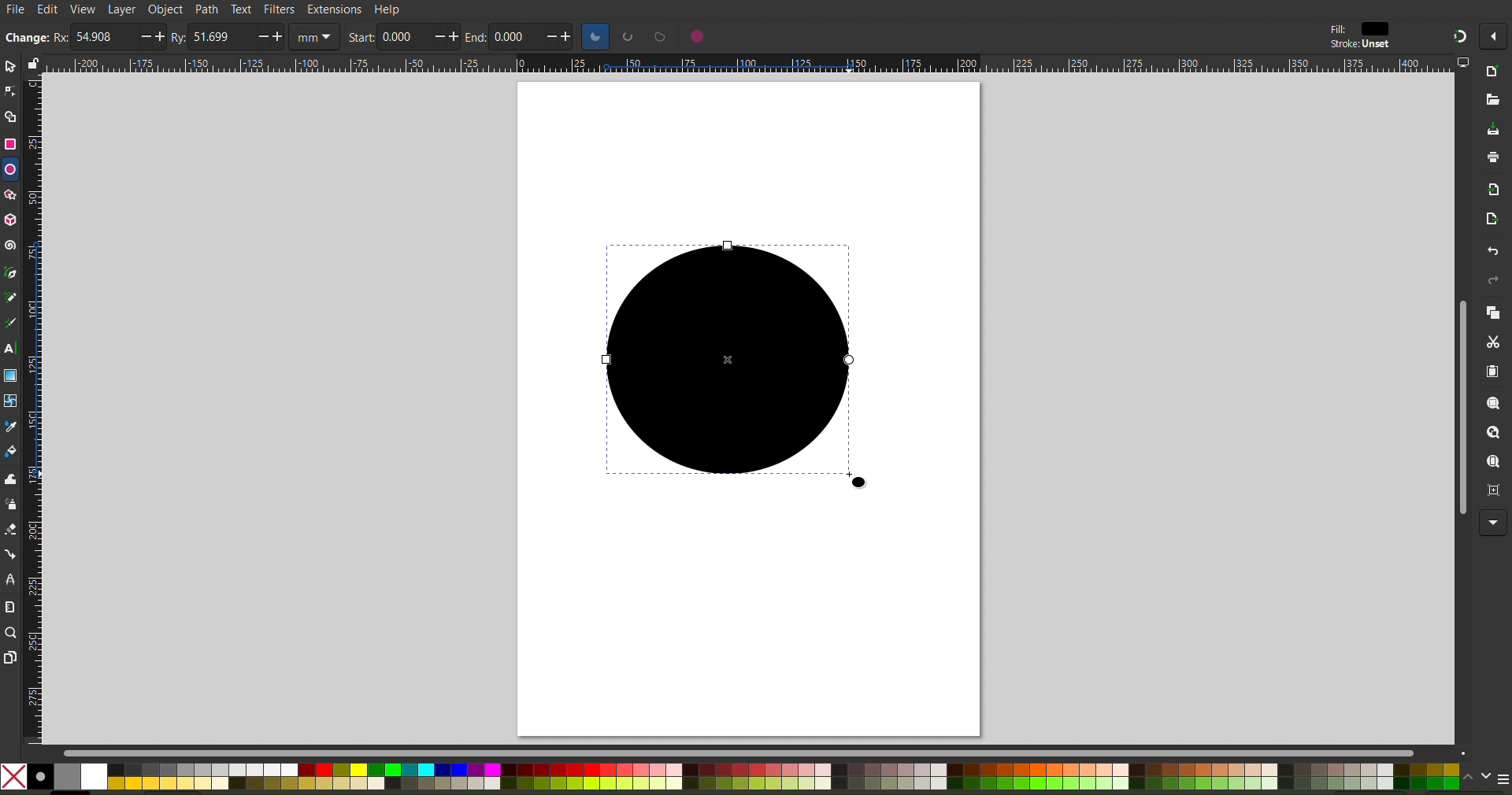  Describe the element at coordinates (48, 9) in the screenshot. I see `Edit` at that location.